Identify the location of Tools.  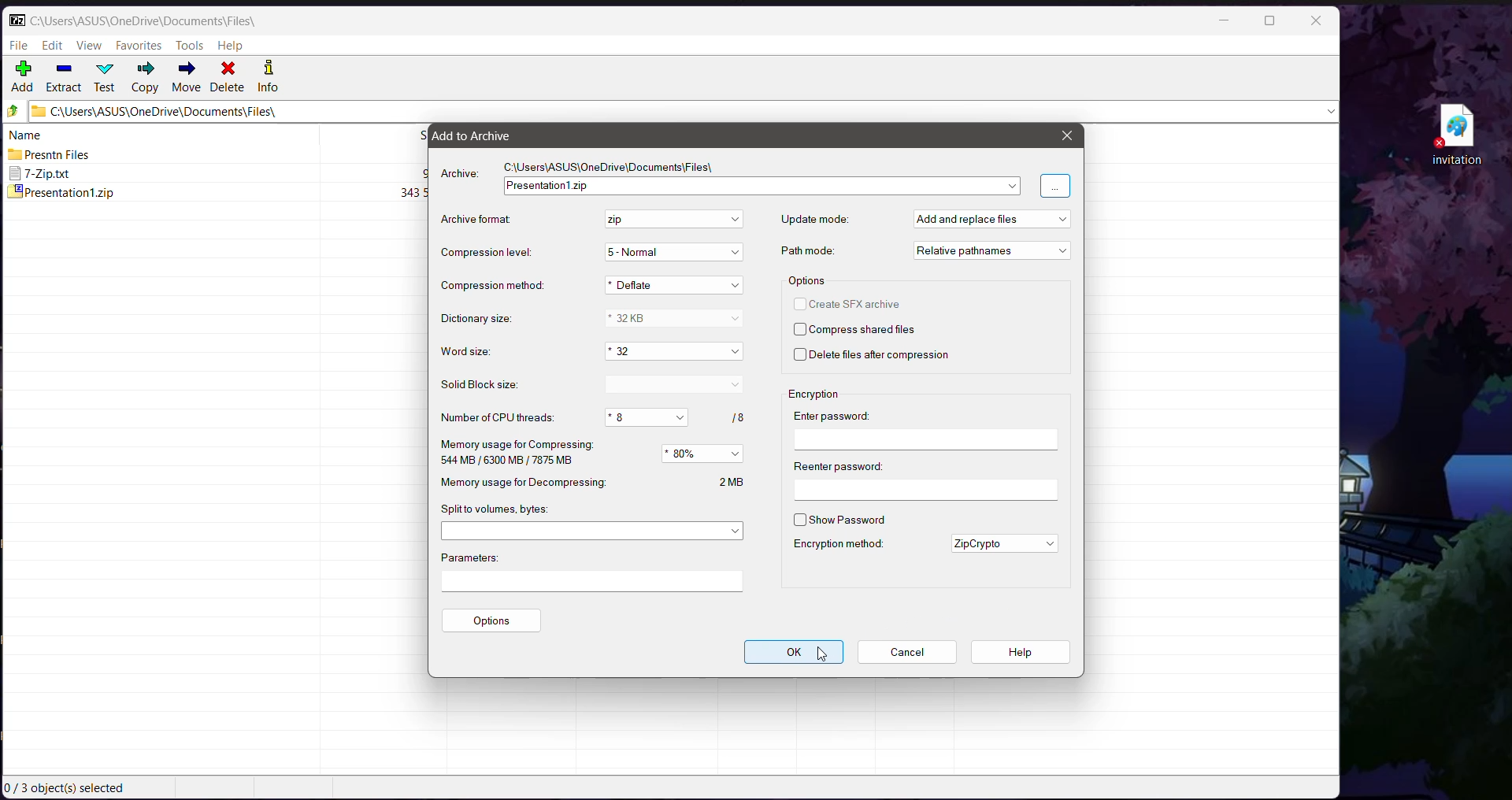
(189, 46).